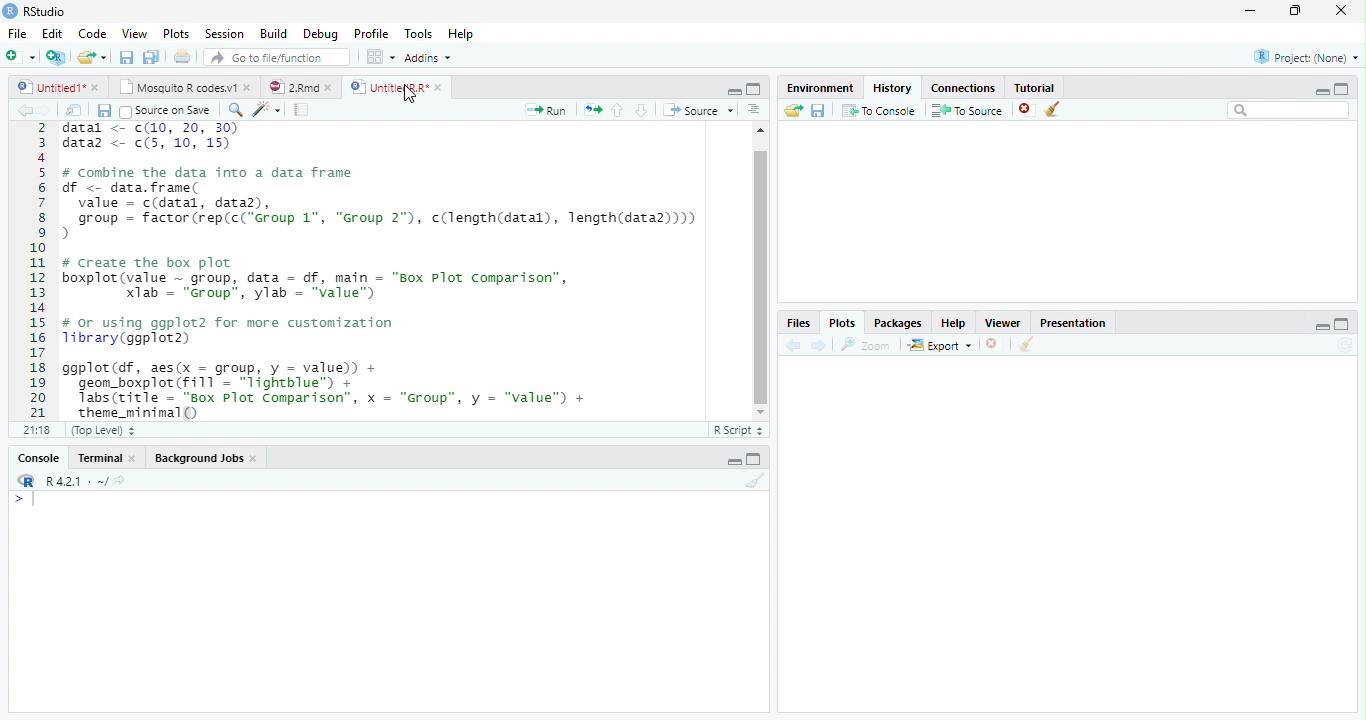 The width and height of the screenshot is (1366, 720). Describe the element at coordinates (1004, 322) in the screenshot. I see `Viewer` at that location.